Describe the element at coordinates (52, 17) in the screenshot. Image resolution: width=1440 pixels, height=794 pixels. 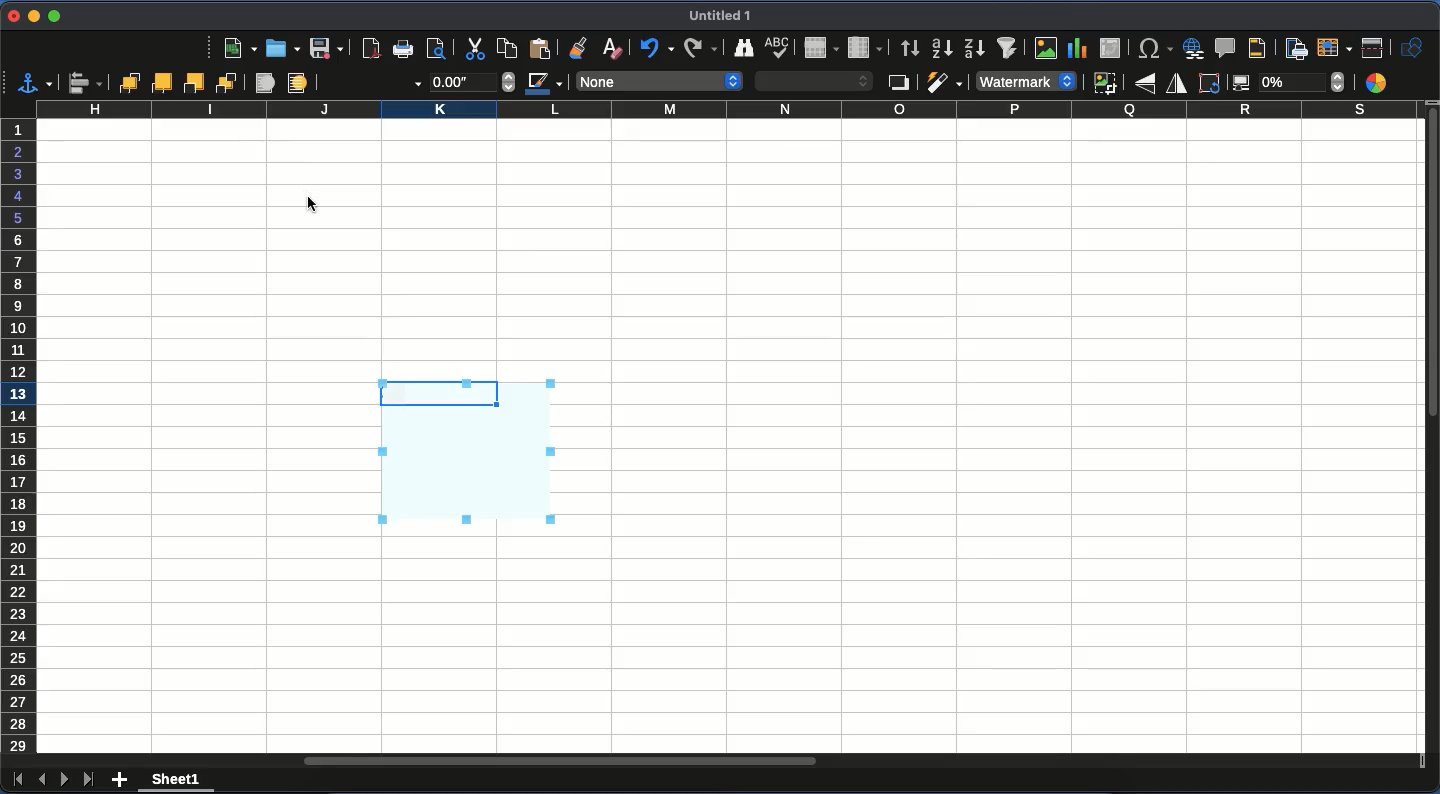
I see `maximize` at that location.